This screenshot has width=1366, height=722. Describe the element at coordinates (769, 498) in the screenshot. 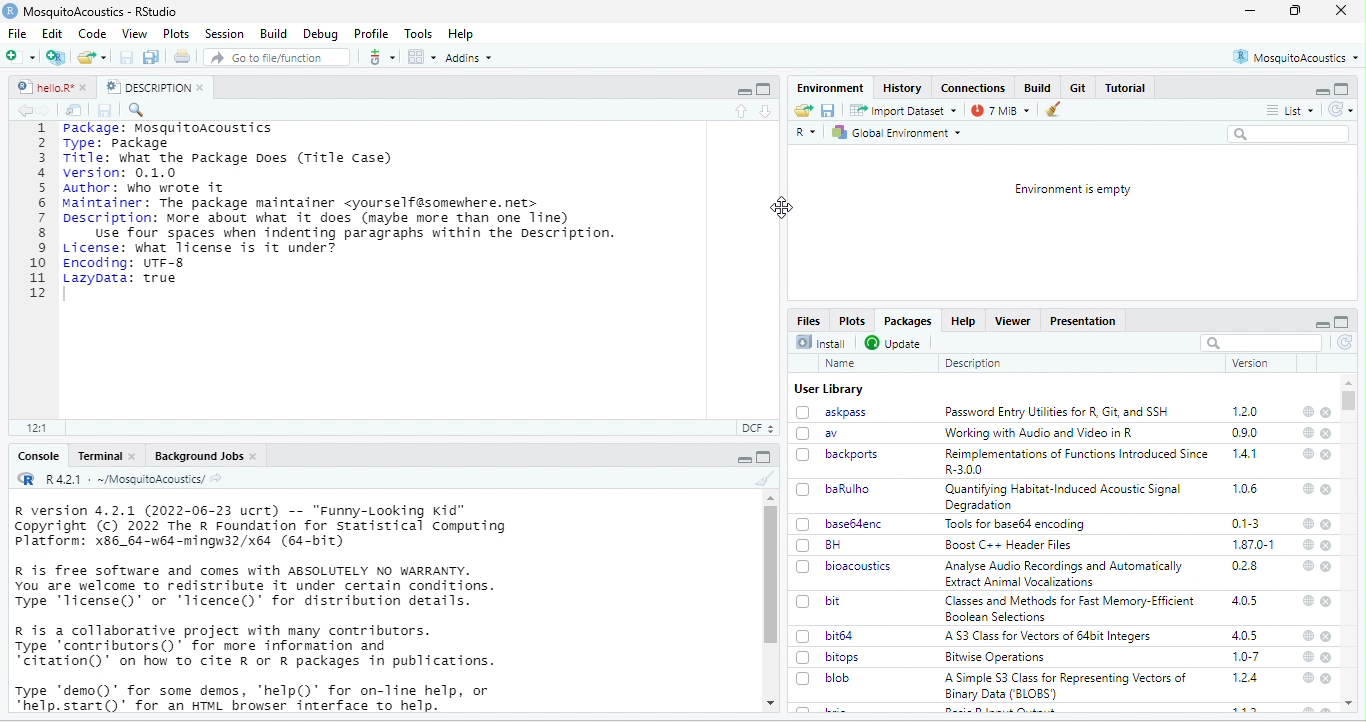

I see `scroll up` at that location.